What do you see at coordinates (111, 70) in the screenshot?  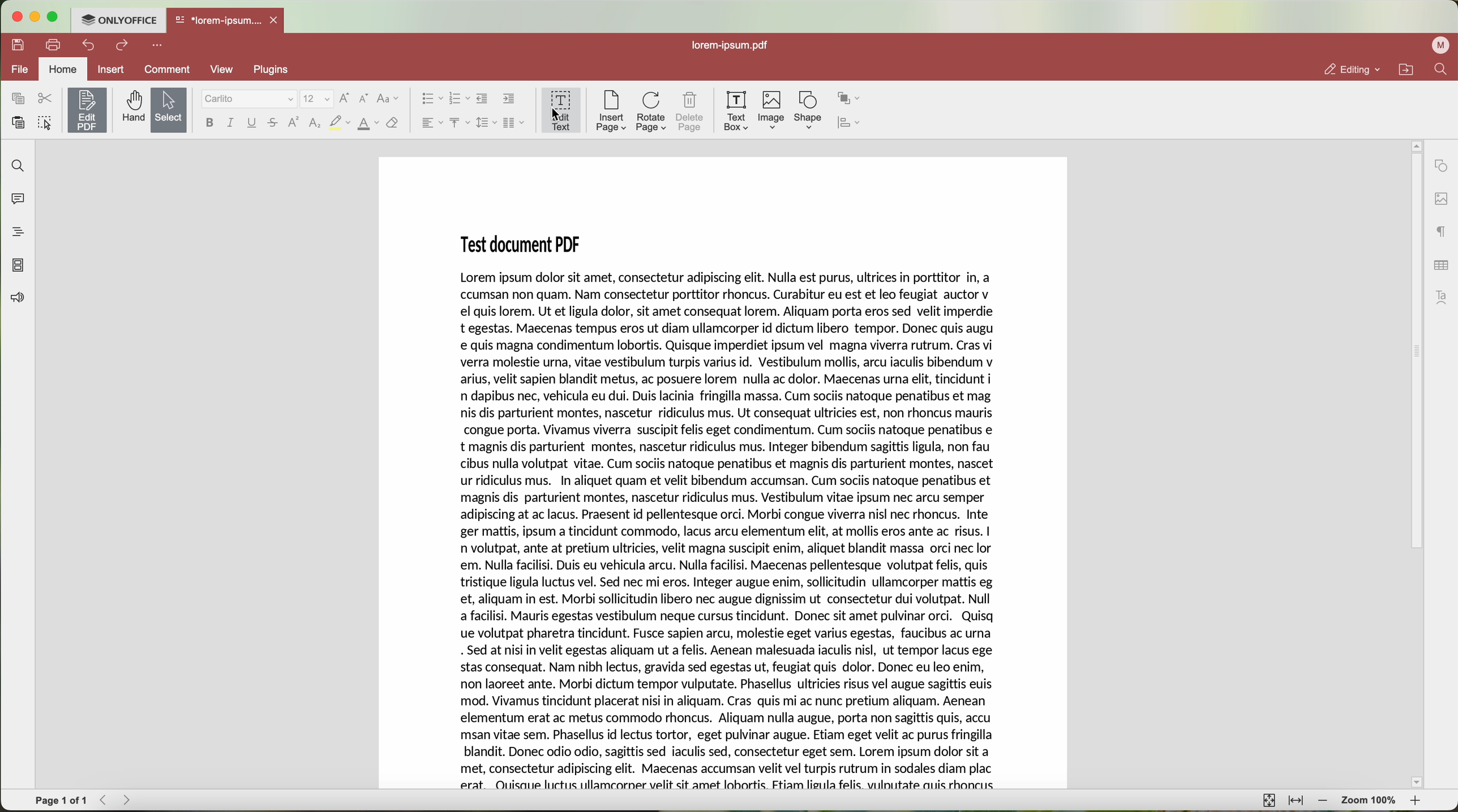 I see `insert` at bounding box center [111, 70].